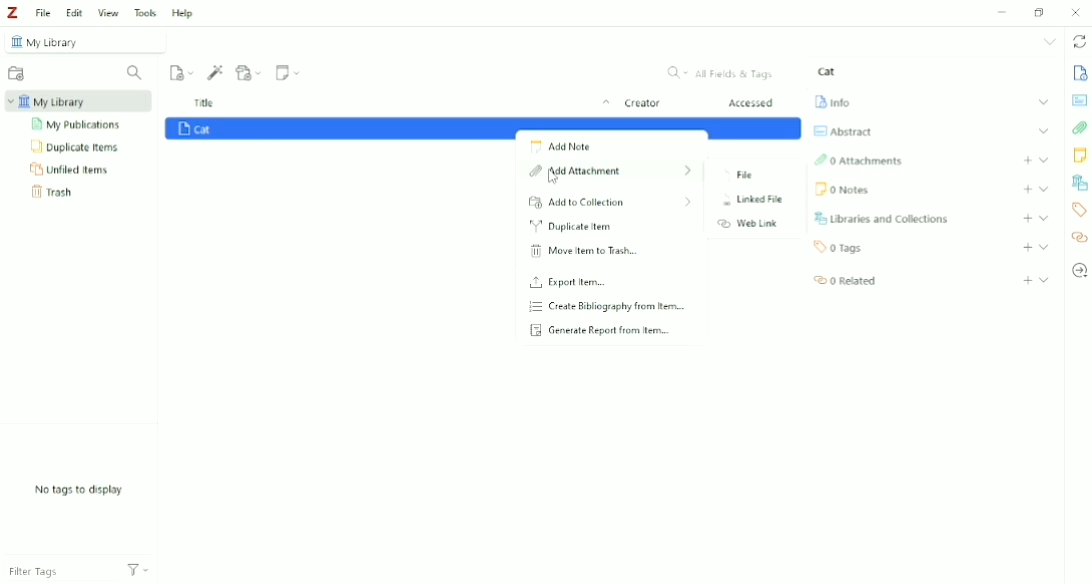 The width and height of the screenshot is (1092, 584). What do you see at coordinates (78, 125) in the screenshot?
I see `My Publications` at bounding box center [78, 125].